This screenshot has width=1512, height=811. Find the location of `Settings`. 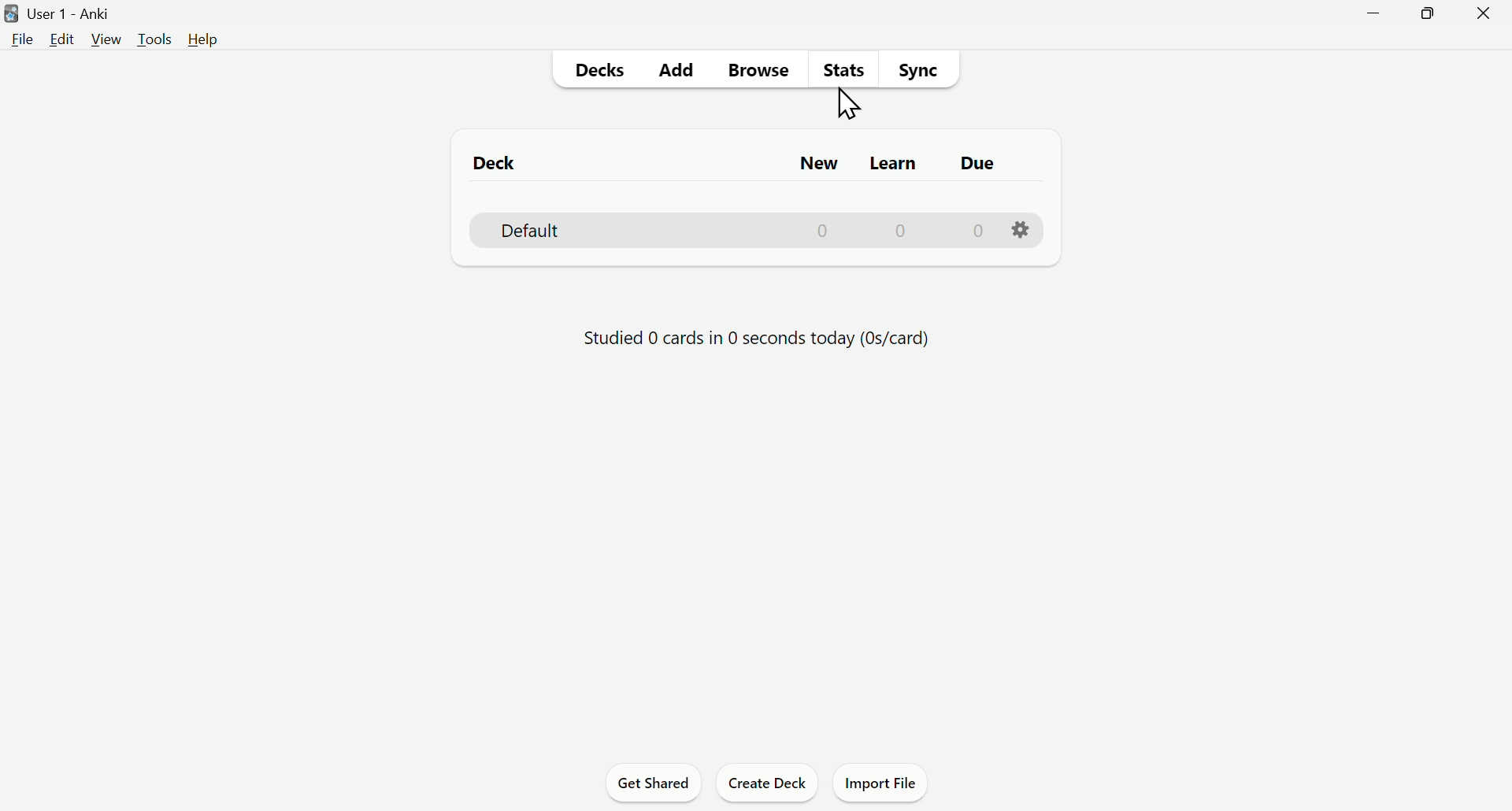

Settings is located at coordinates (1019, 229).